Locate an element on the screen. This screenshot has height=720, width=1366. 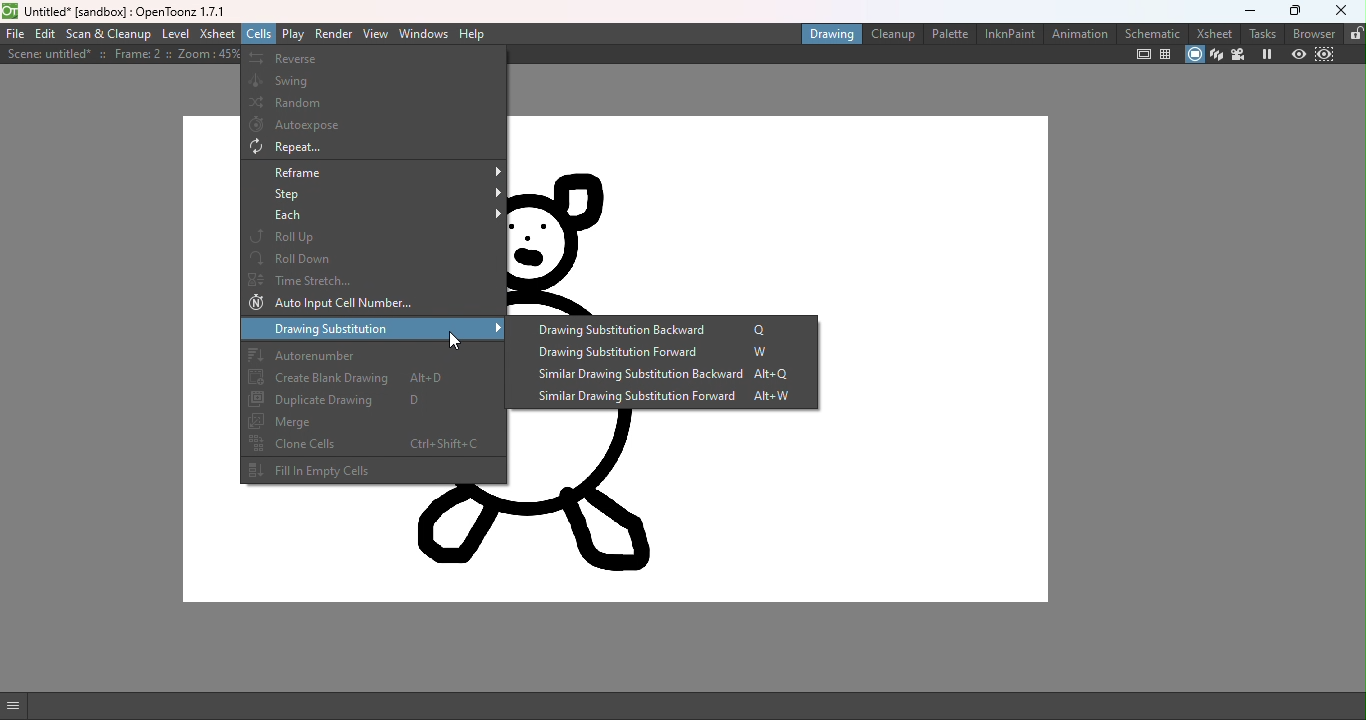
File is located at coordinates (13, 34).